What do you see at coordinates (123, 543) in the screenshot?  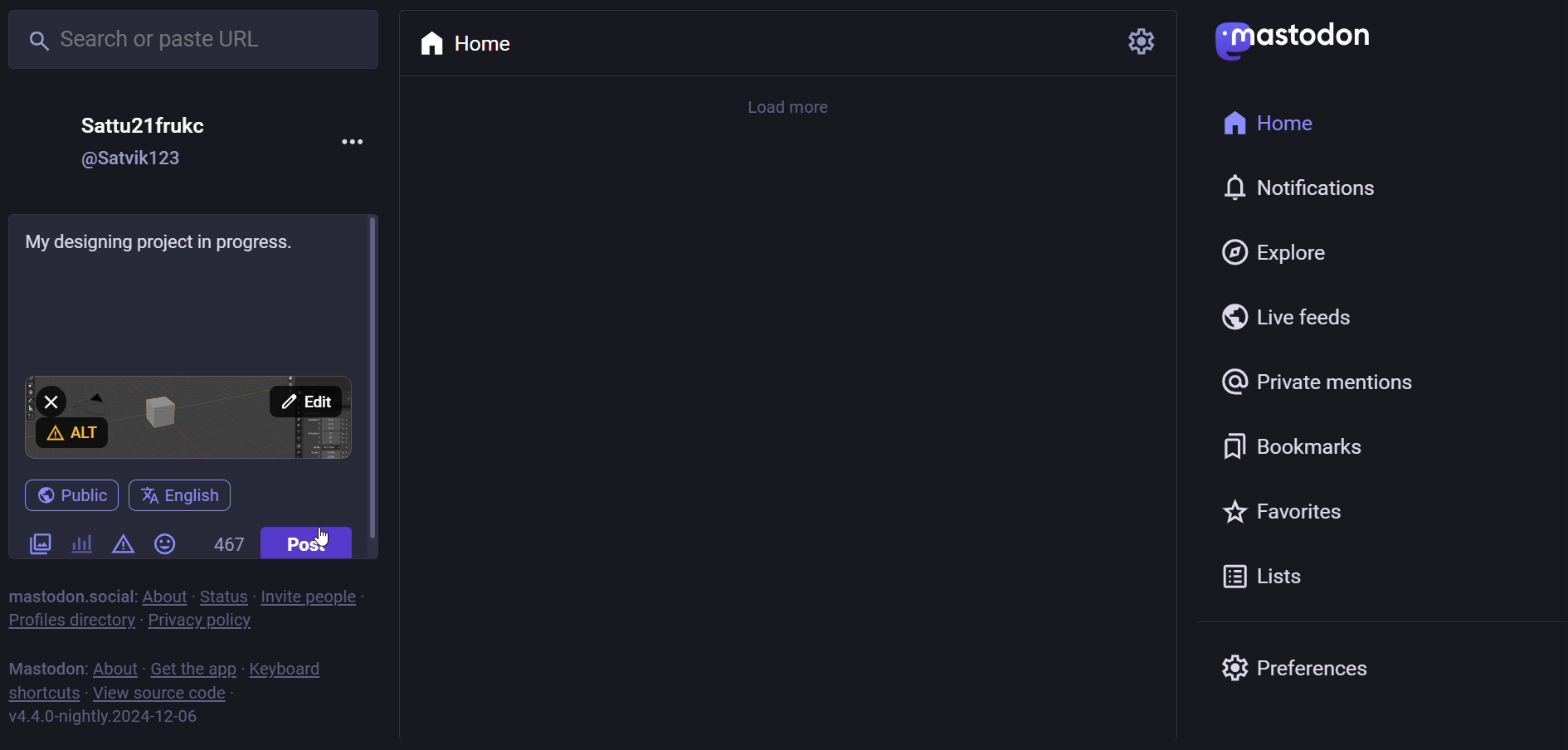 I see `content warning` at bounding box center [123, 543].